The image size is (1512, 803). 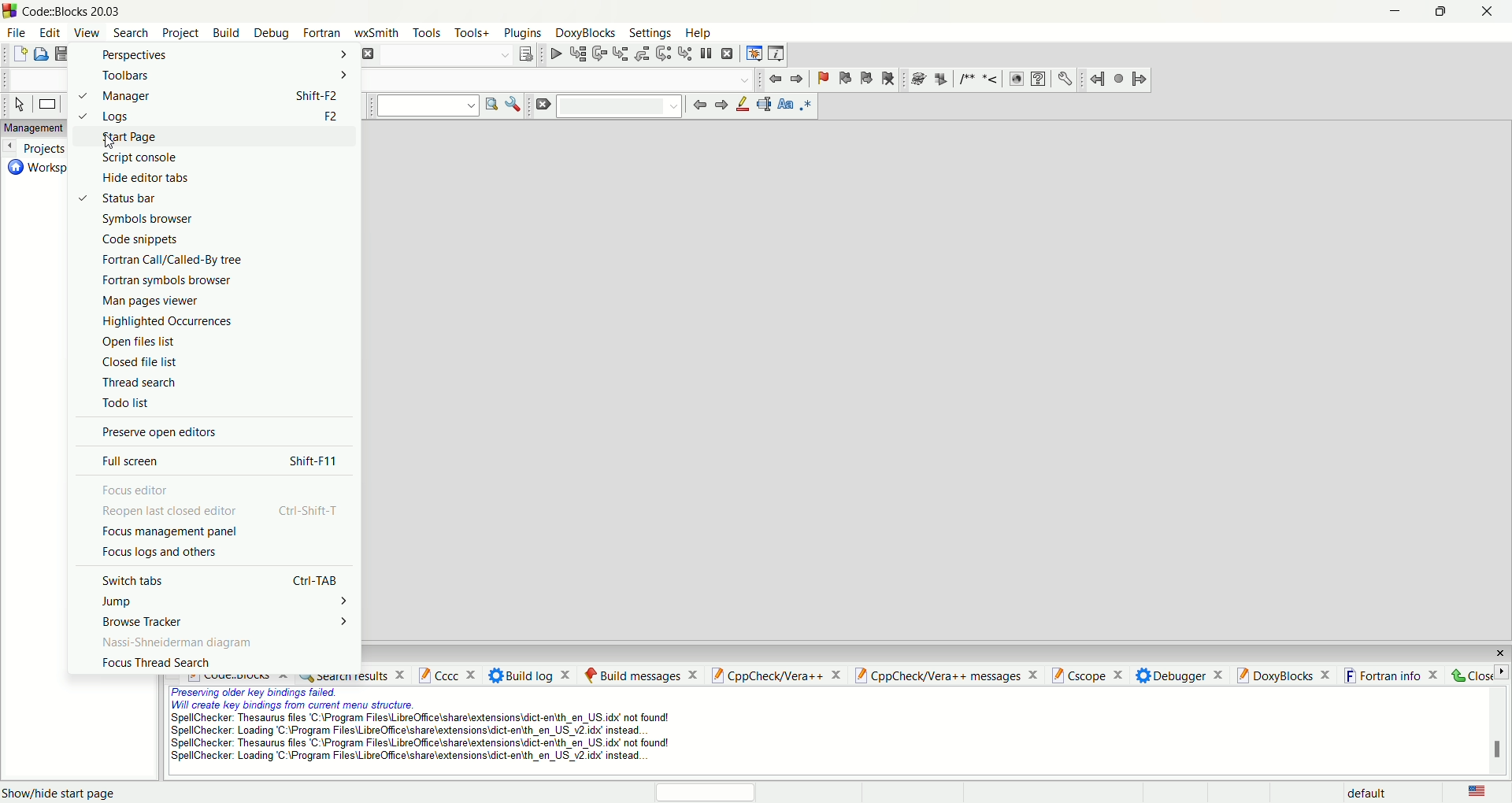 I want to click on focus management panel, so click(x=169, y=531).